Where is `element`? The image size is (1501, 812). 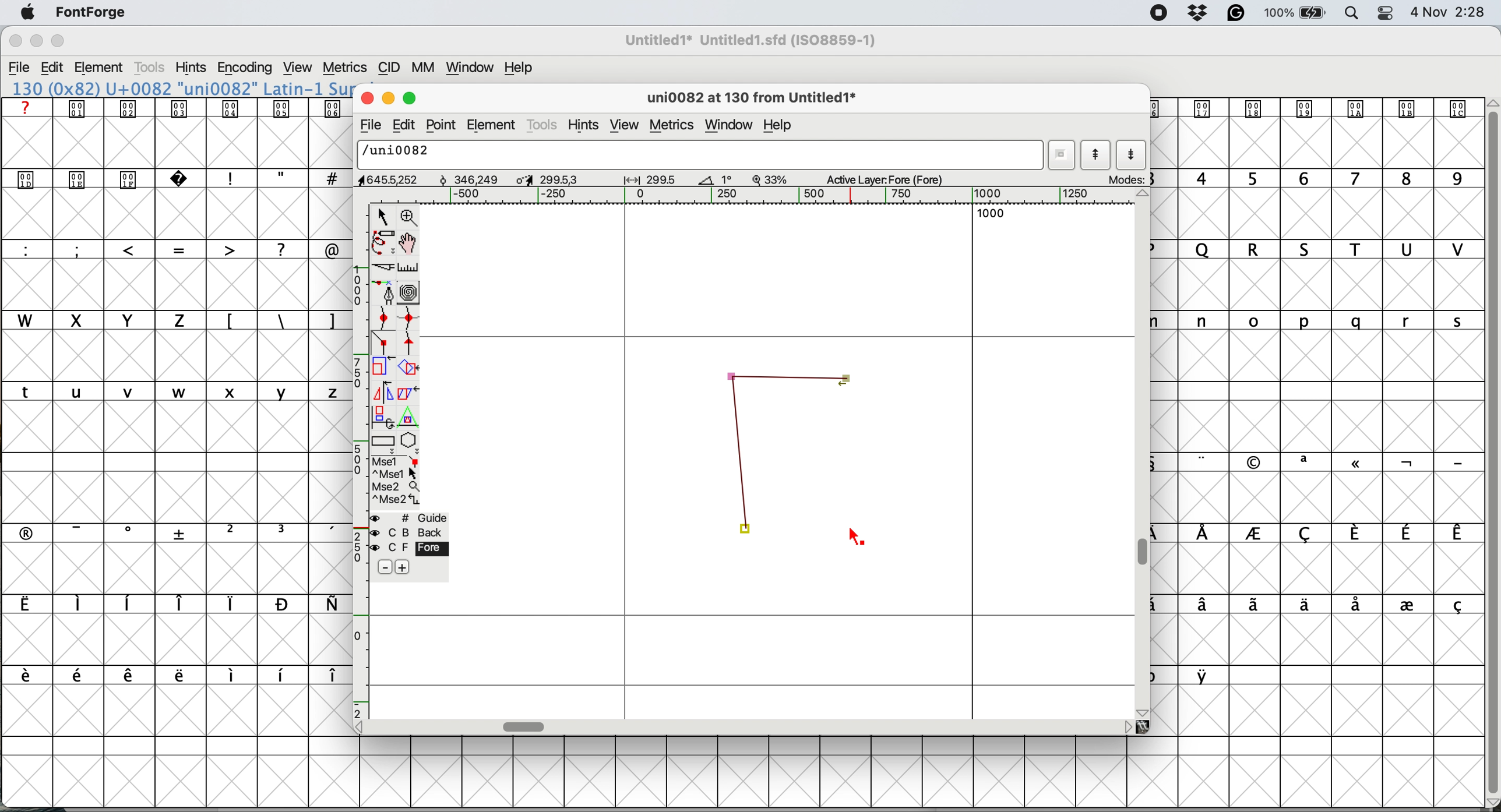
element is located at coordinates (100, 69).